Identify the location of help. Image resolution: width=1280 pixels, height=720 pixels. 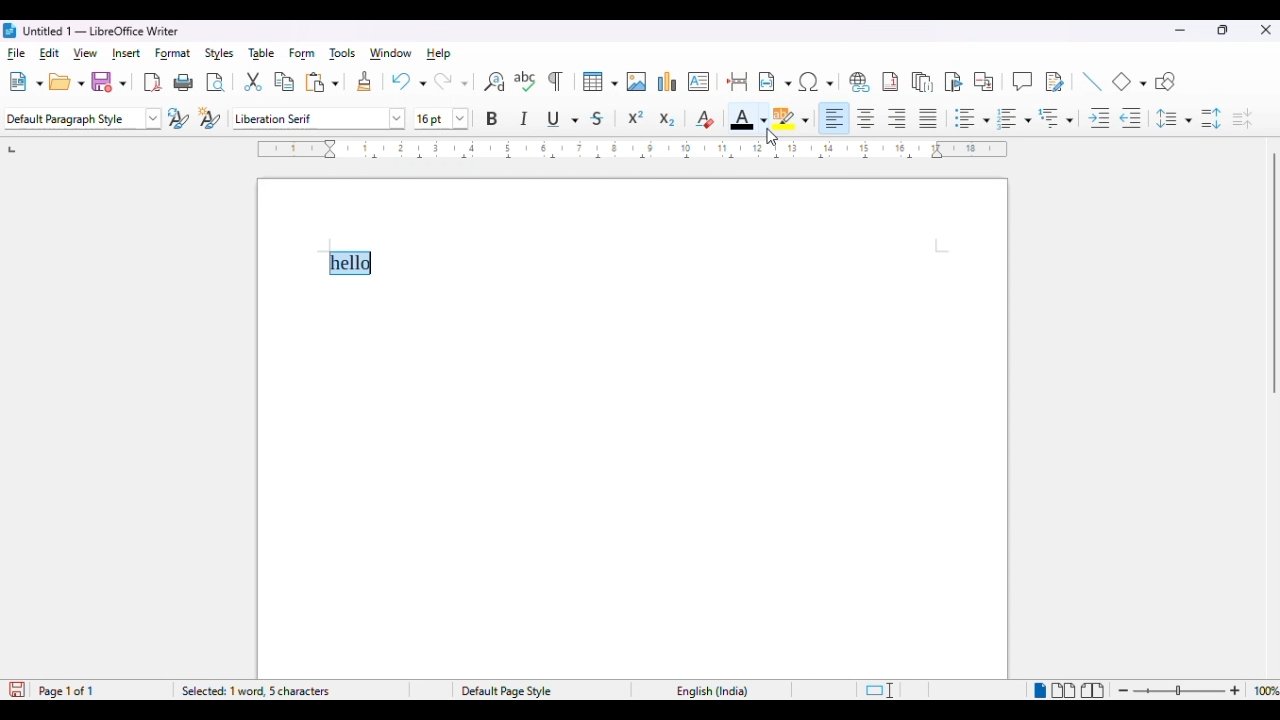
(438, 53).